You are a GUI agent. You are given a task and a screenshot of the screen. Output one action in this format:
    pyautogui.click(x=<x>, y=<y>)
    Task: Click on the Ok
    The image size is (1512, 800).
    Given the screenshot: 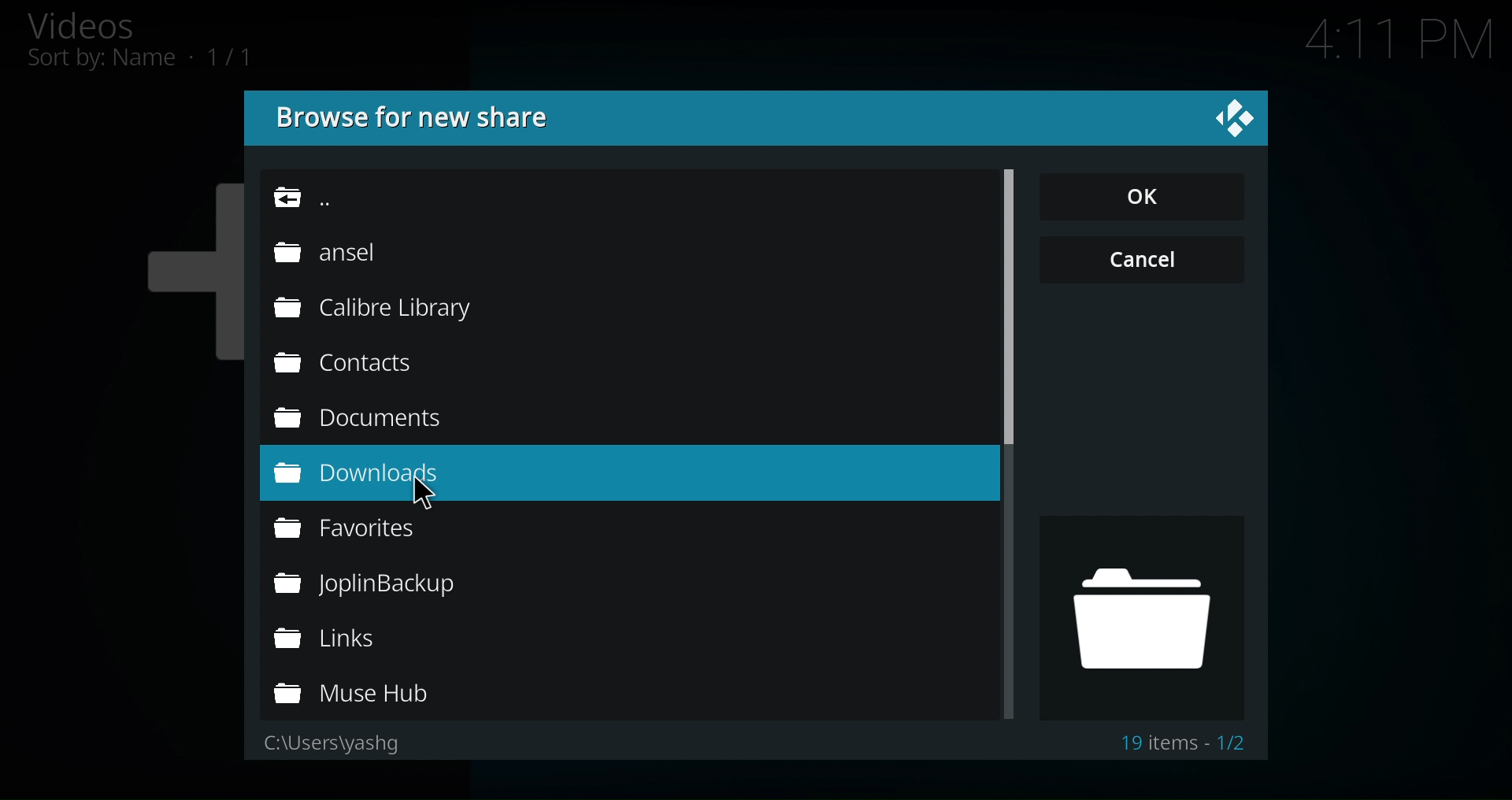 What is the action you would take?
    pyautogui.click(x=1143, y=198)
    